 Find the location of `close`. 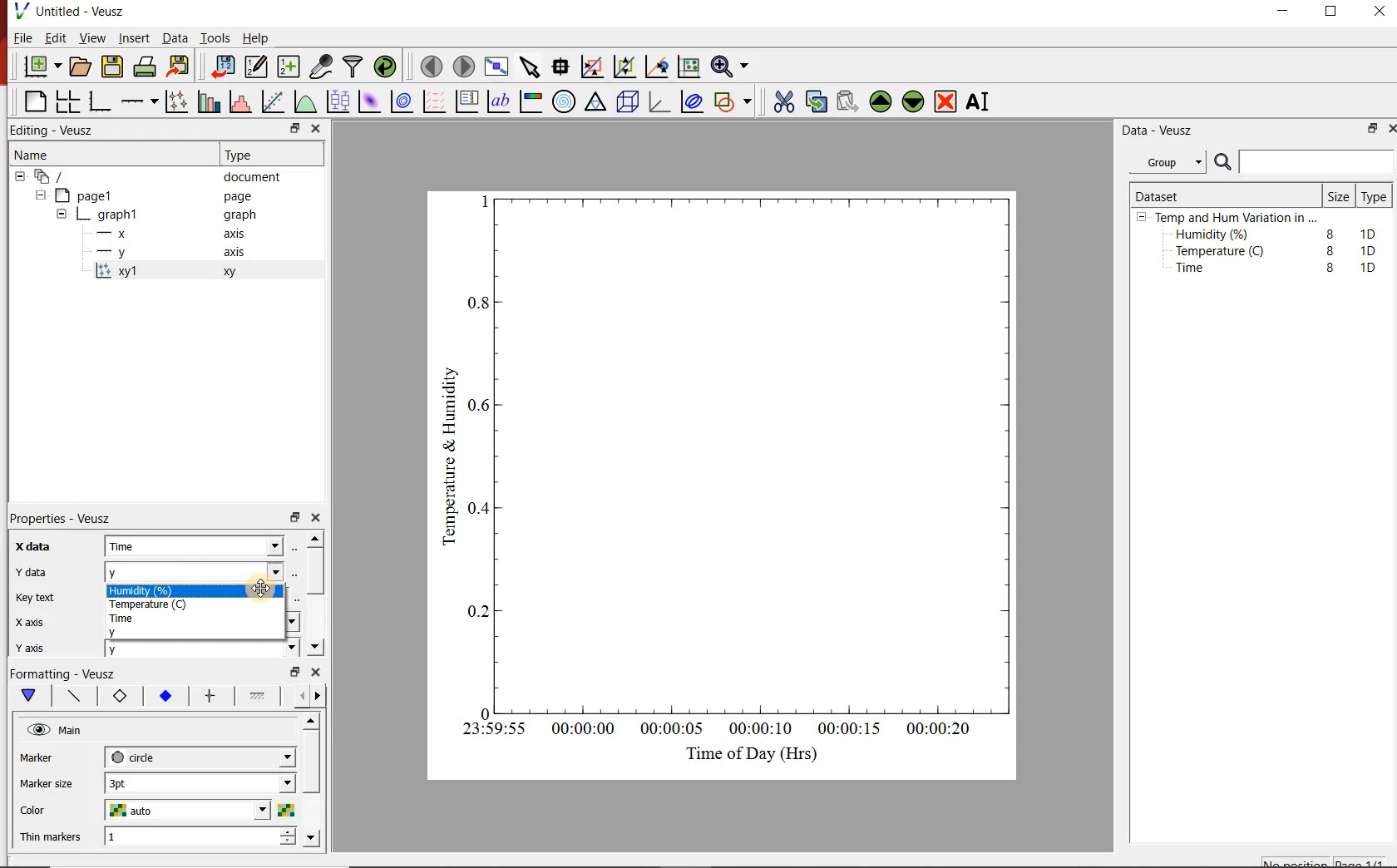

close is located at coordinates (318, 673).